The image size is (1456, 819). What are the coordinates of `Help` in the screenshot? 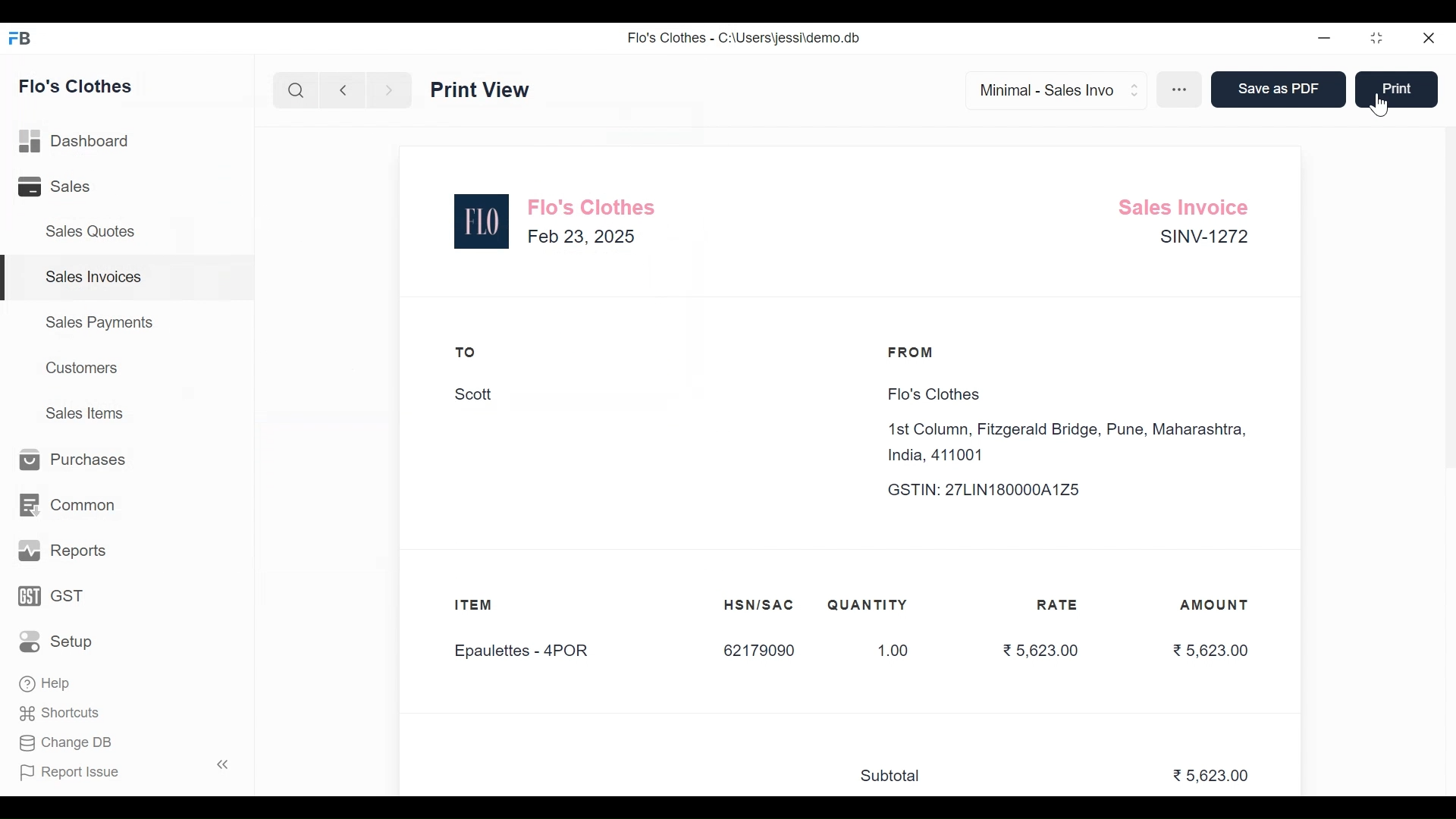 It's located at (46, 686).